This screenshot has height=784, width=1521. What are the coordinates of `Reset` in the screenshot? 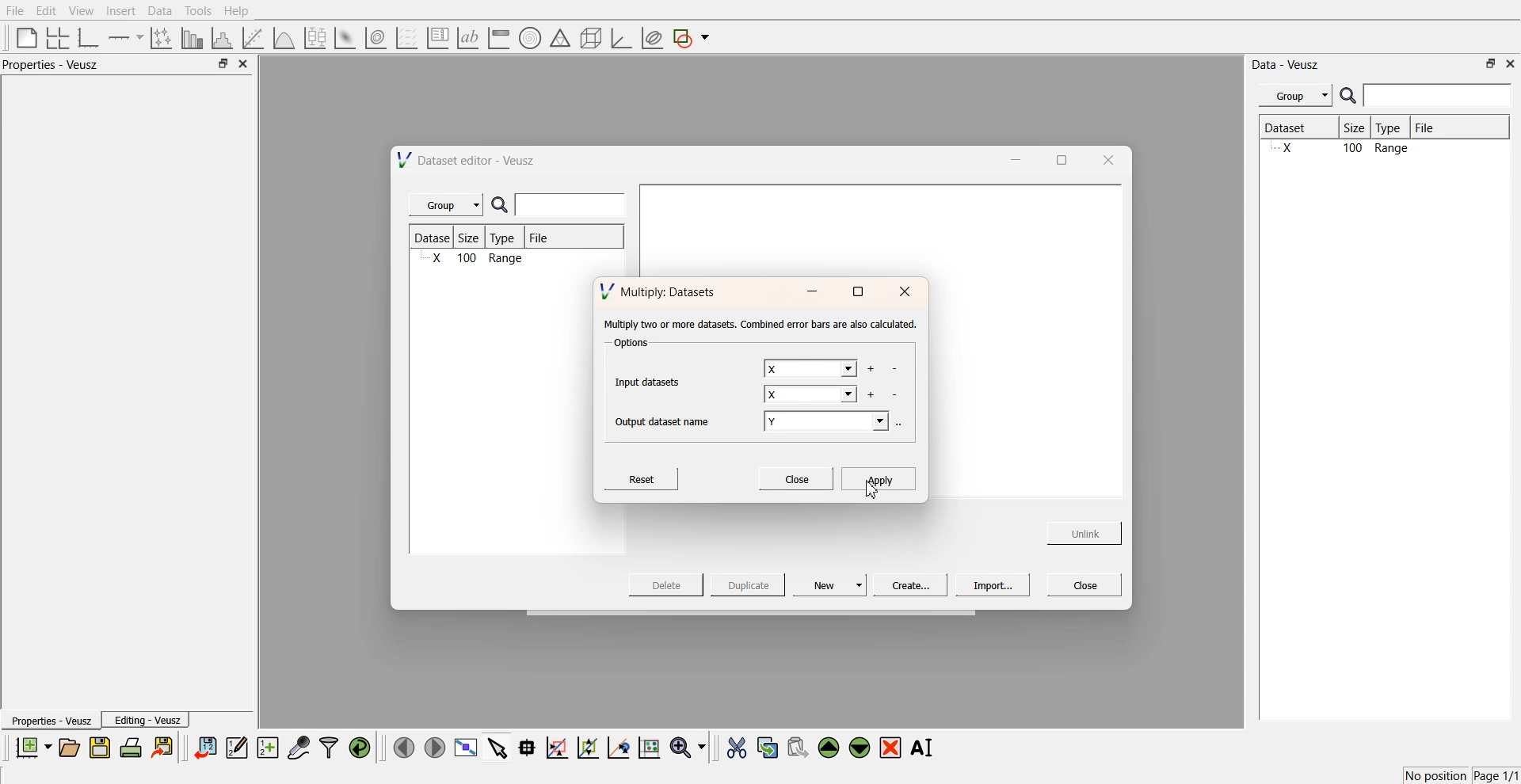 It's located at (644, 478).